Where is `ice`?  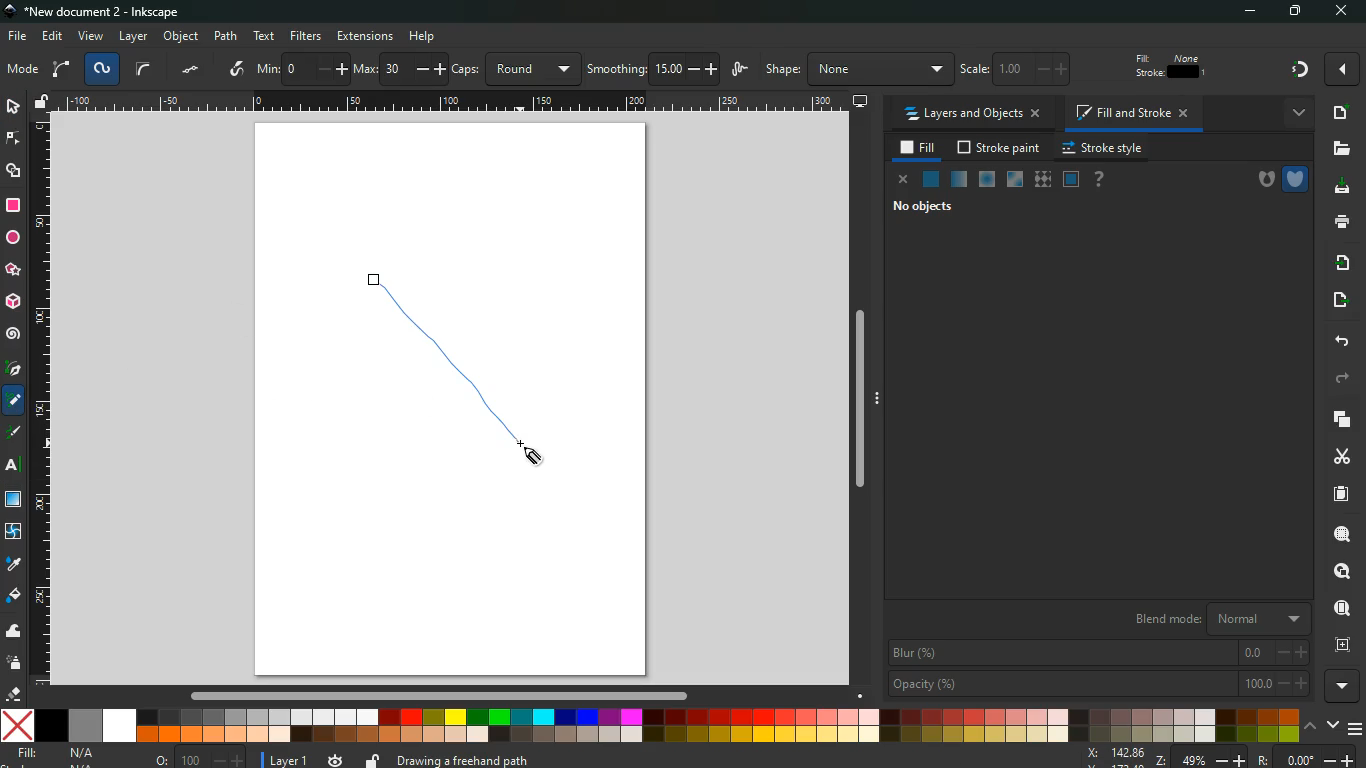
ice is located at coordinates (987, 178).